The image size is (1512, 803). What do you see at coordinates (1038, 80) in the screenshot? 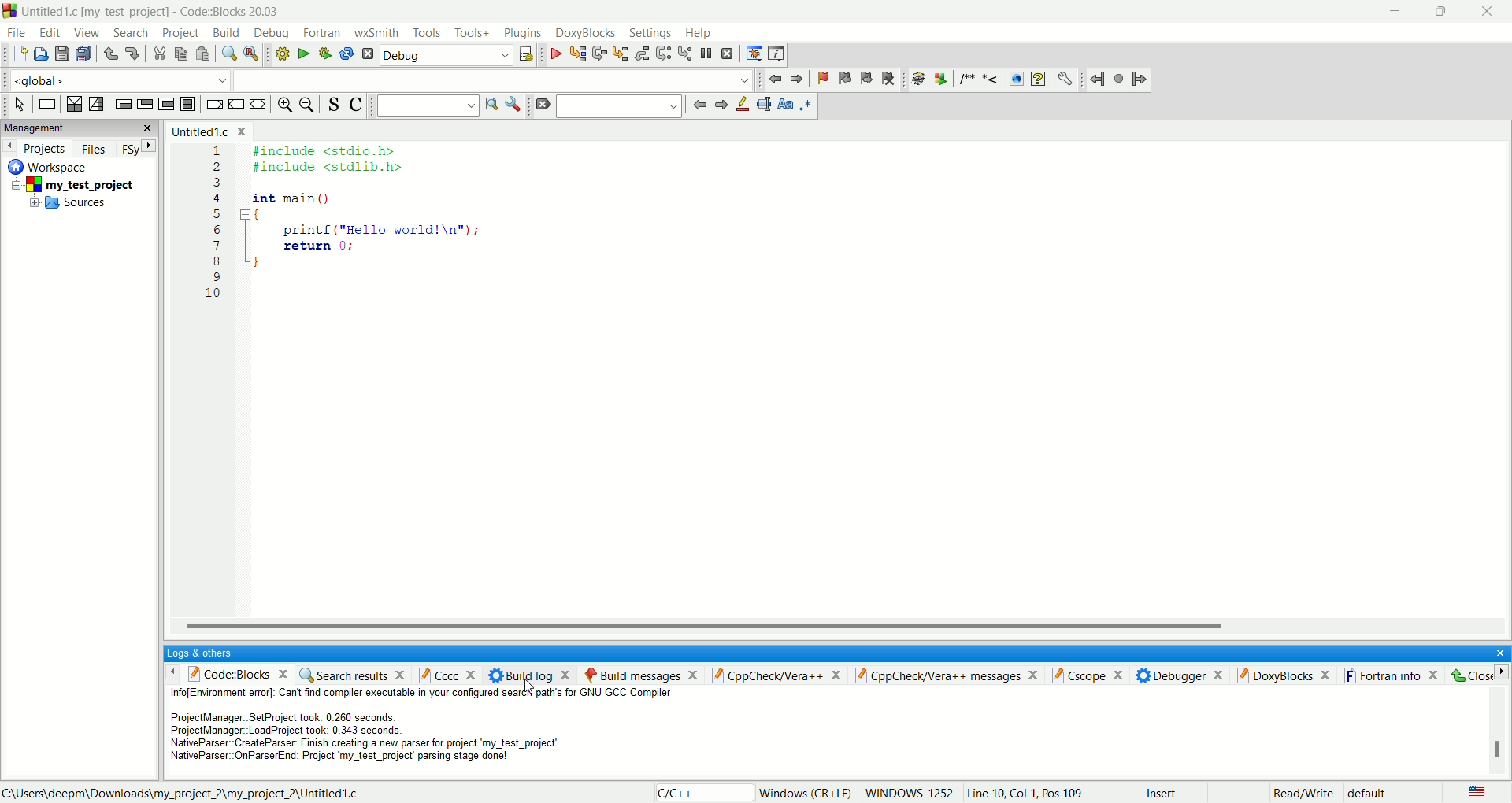
I see `CHM` at bounding box center [1038, 80].